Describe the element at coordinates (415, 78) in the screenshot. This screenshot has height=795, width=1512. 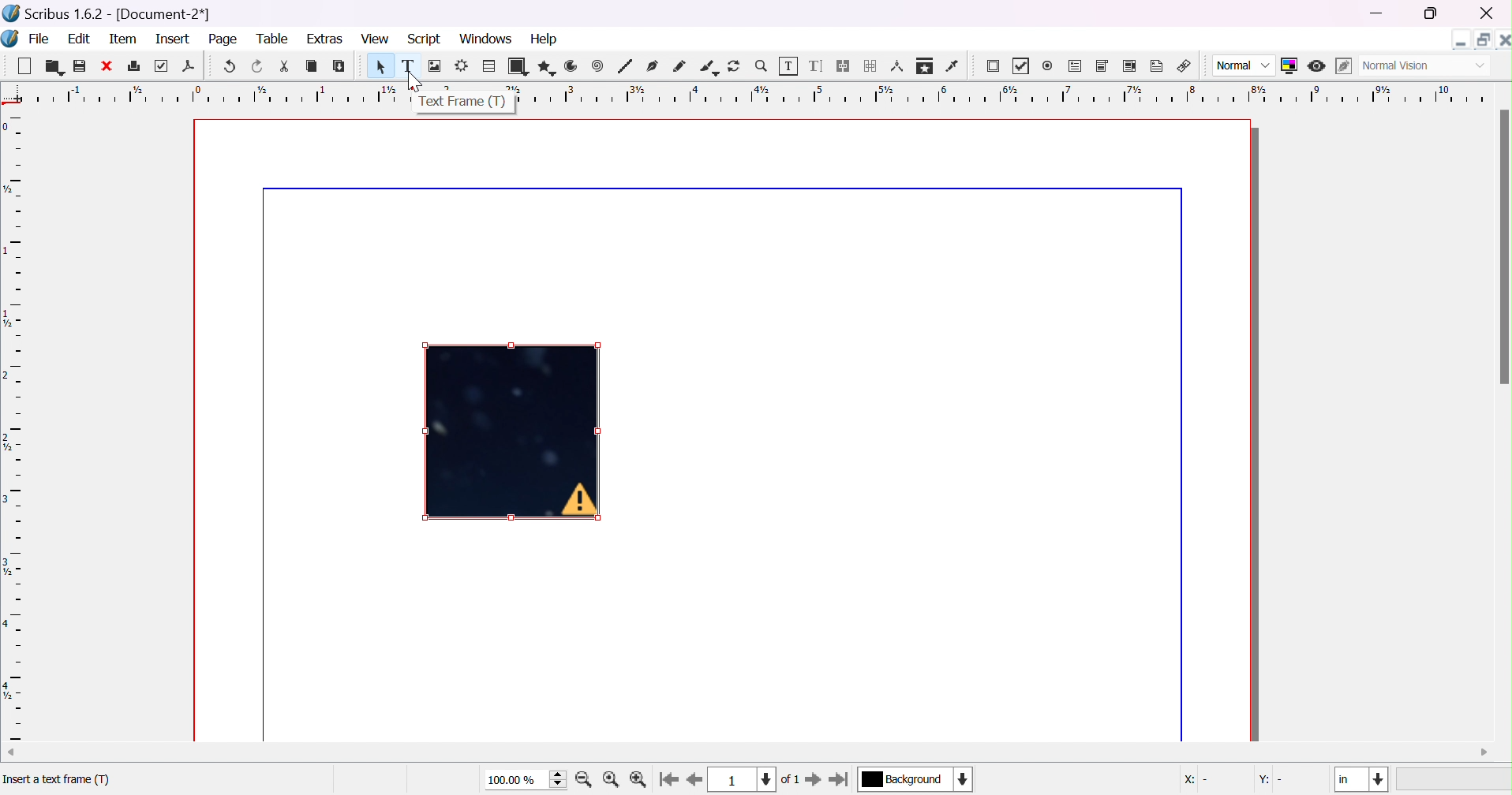
I see `cursor` at that location.